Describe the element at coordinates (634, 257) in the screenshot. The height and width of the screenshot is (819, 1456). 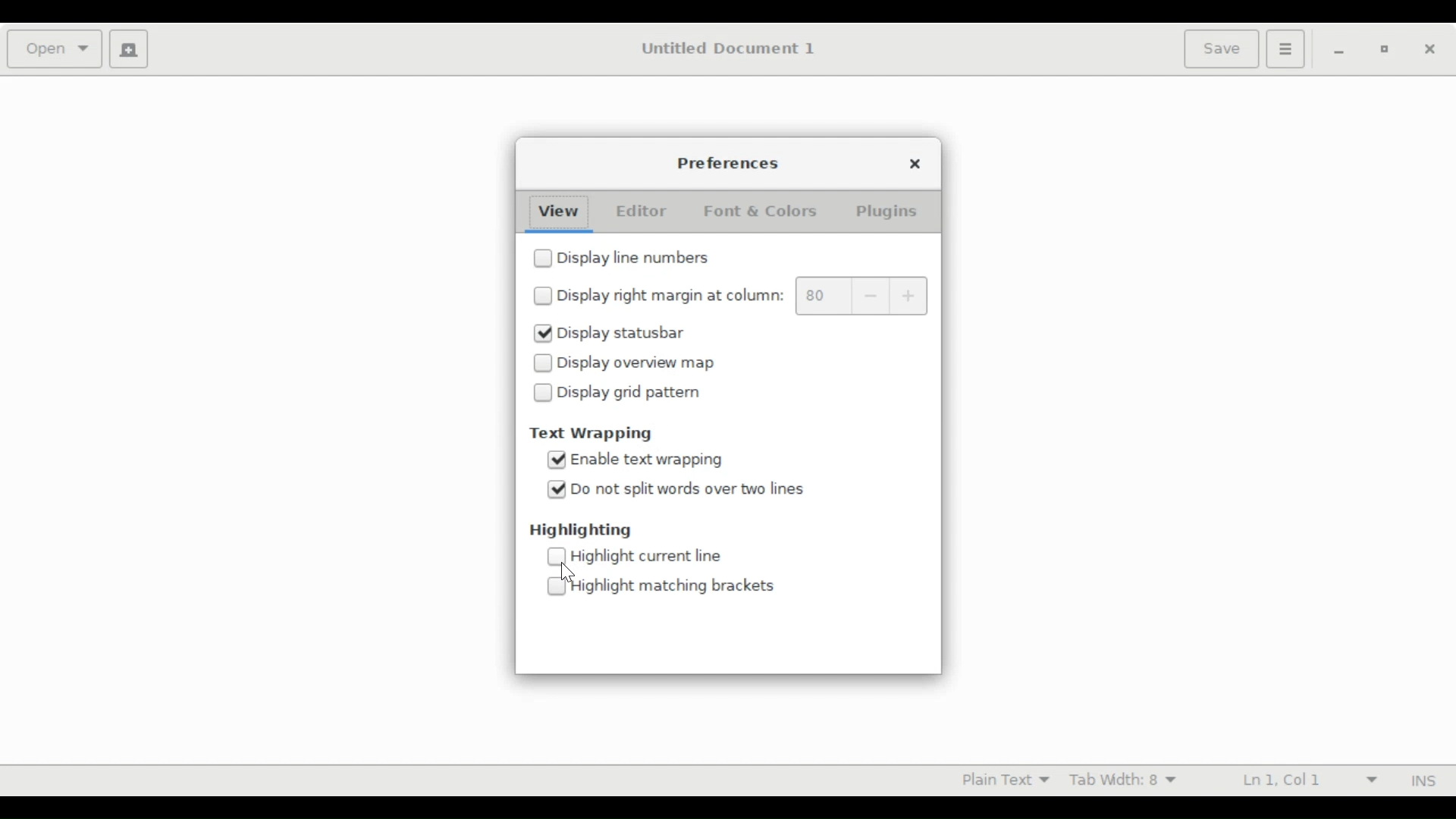
I see `Display line number` at that location.